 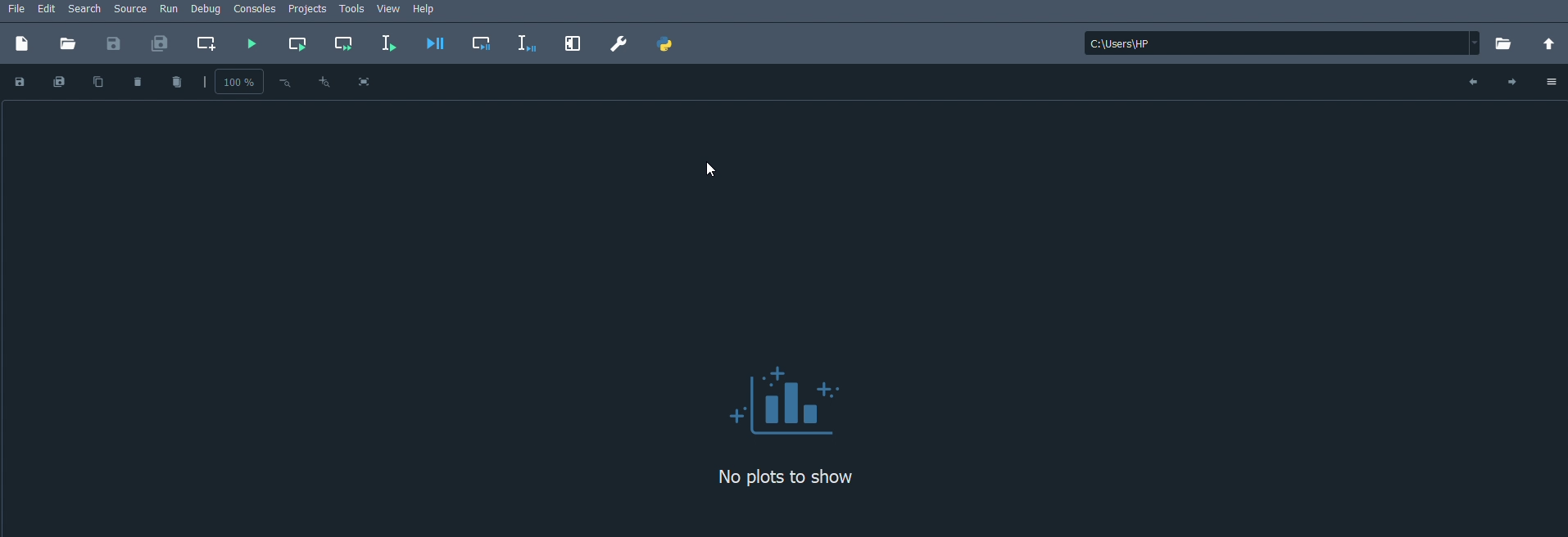 What do you see at coordinates (131, 10) in the screenshot?
I see `Source` at bounding box center [131, 10].